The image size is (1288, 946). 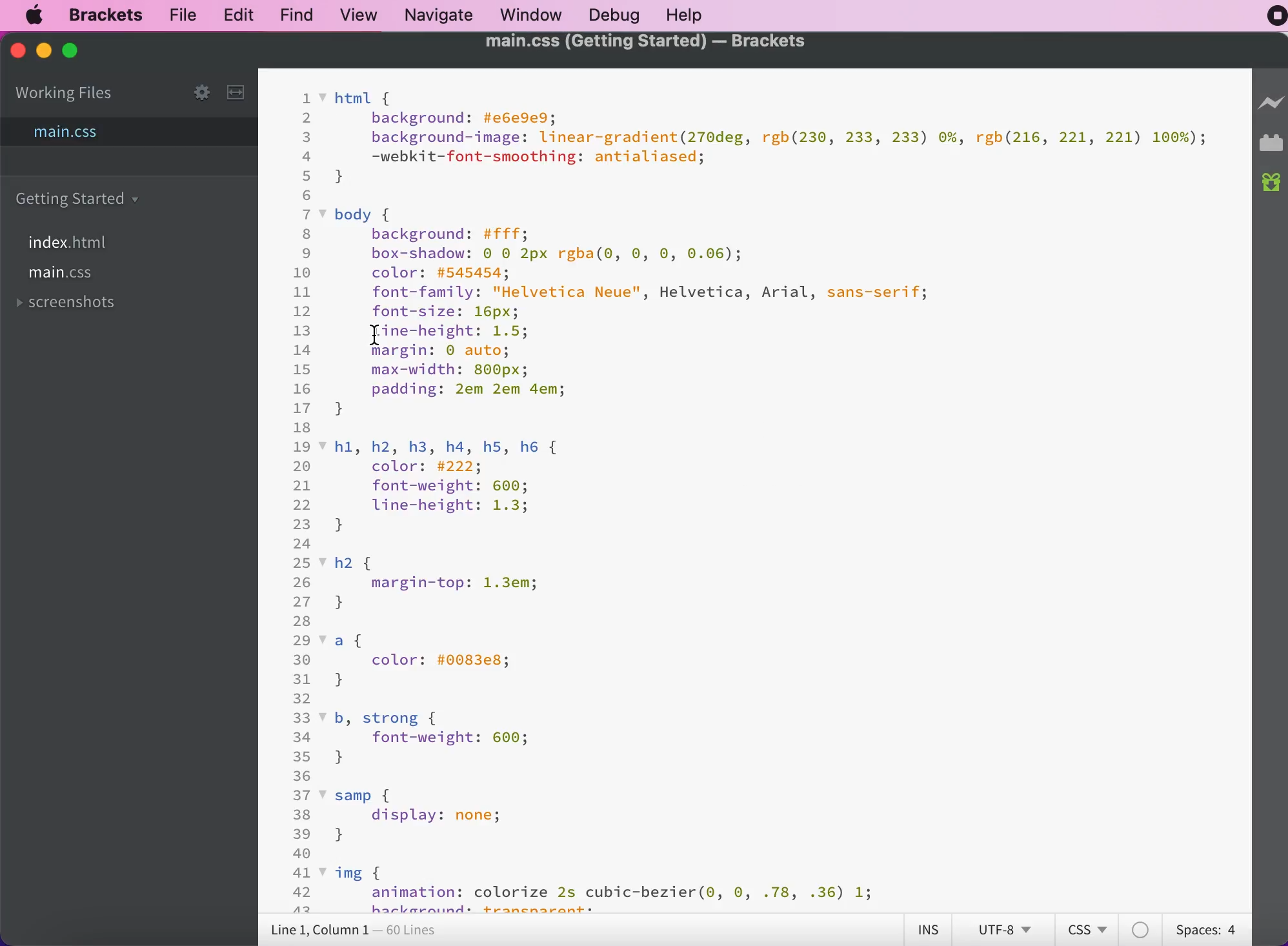 I want to click on minimize, so click(x=45, y=54).